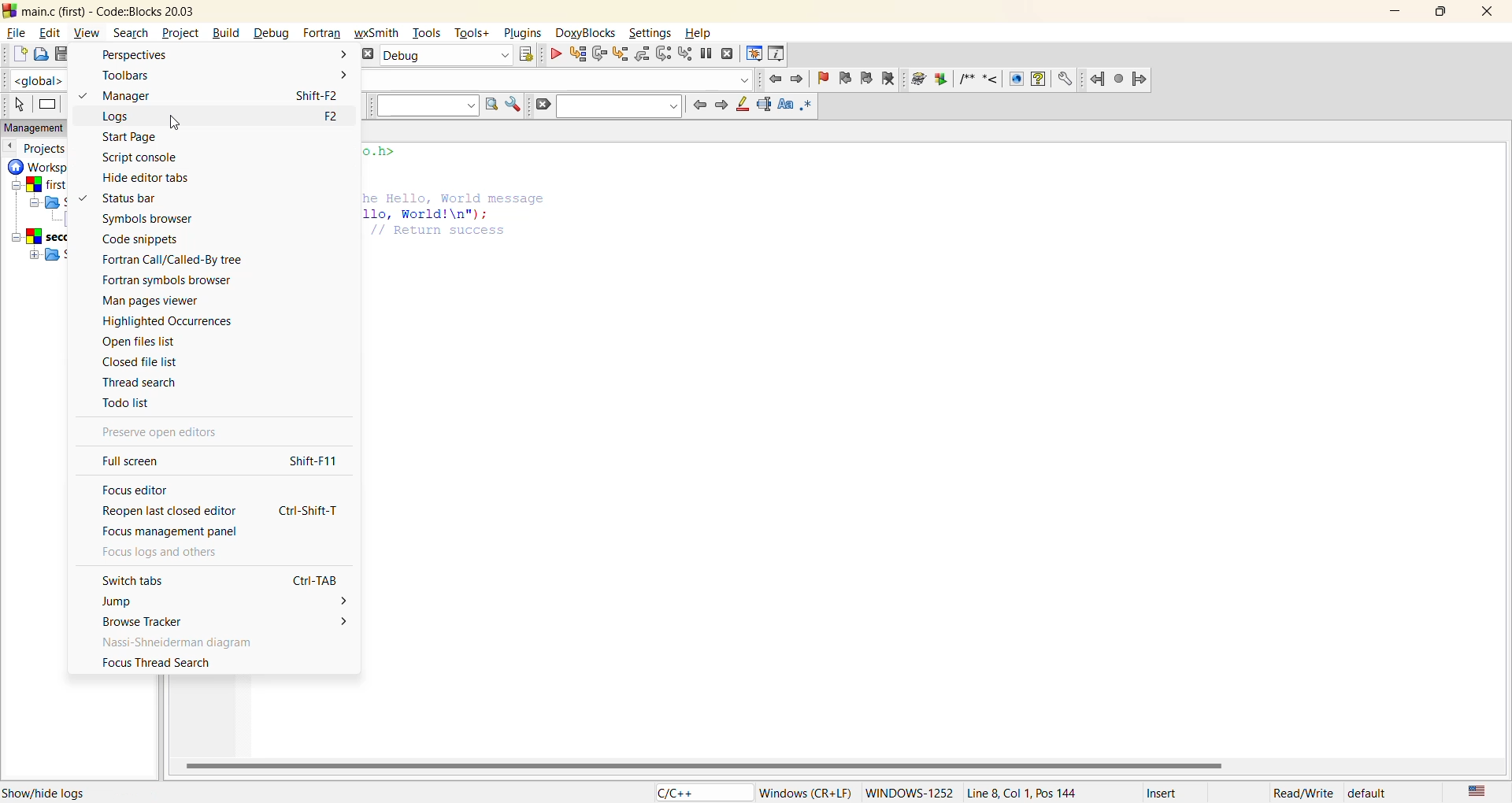 The height and width of the screenshot is (803, 1512). I want to click on previous bookmark, so click(845, 78).